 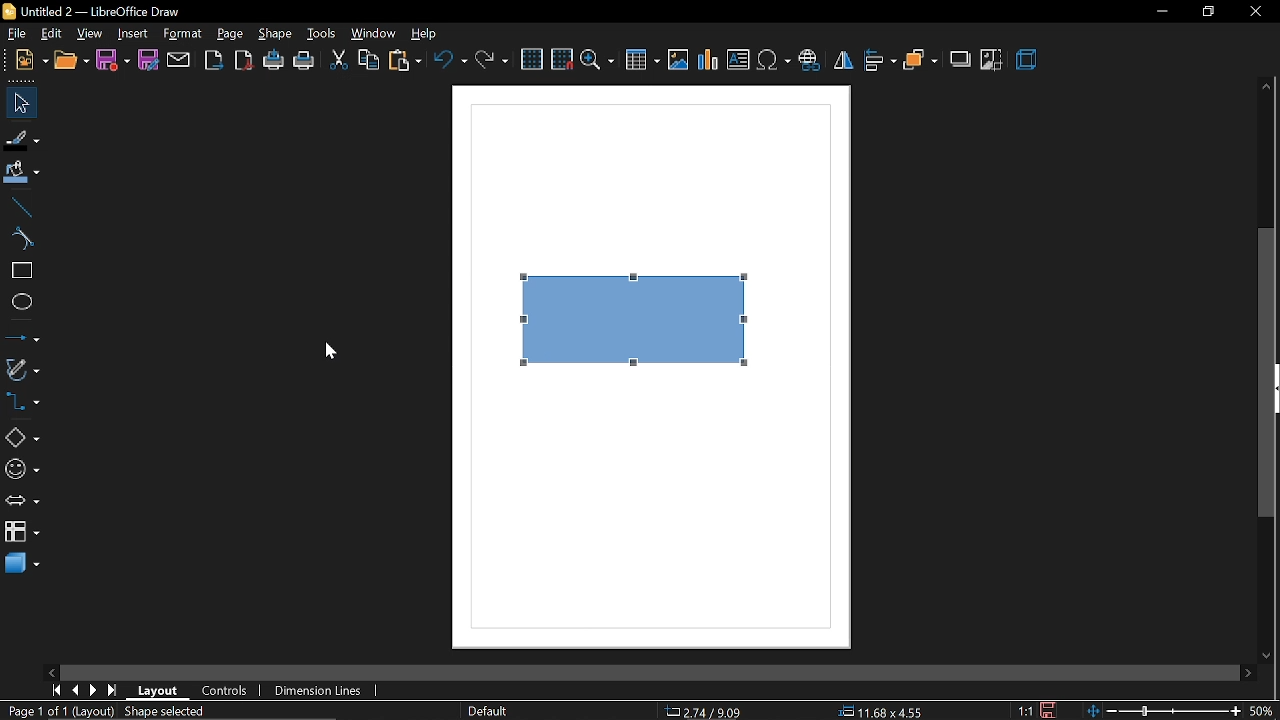 I want to click on align, so click(x=882, y=60).